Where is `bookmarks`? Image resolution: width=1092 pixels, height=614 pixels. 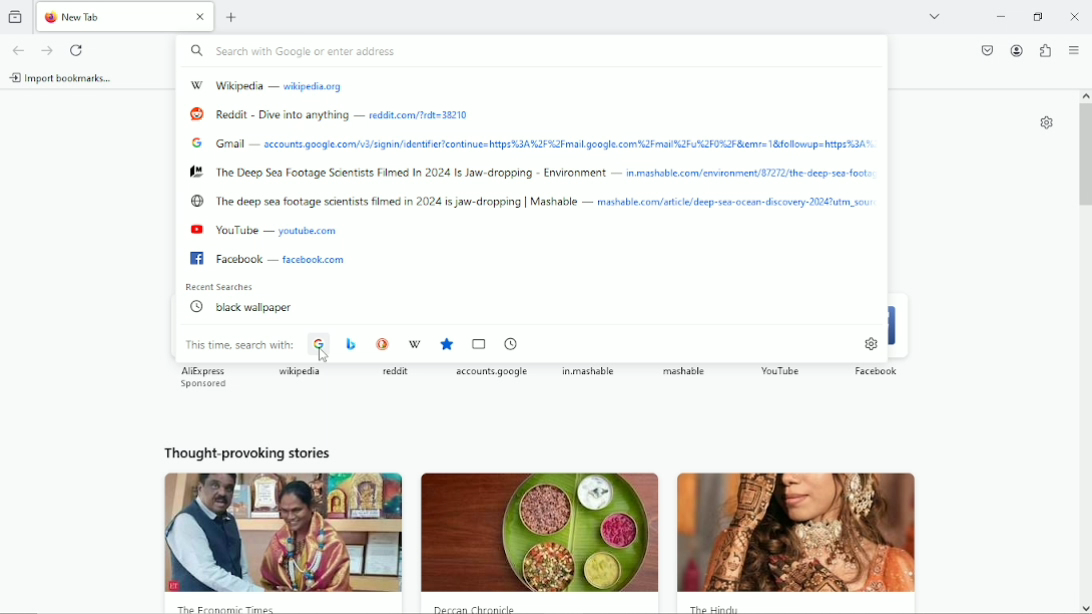 bookmarks is located at coordinates (447, 345).